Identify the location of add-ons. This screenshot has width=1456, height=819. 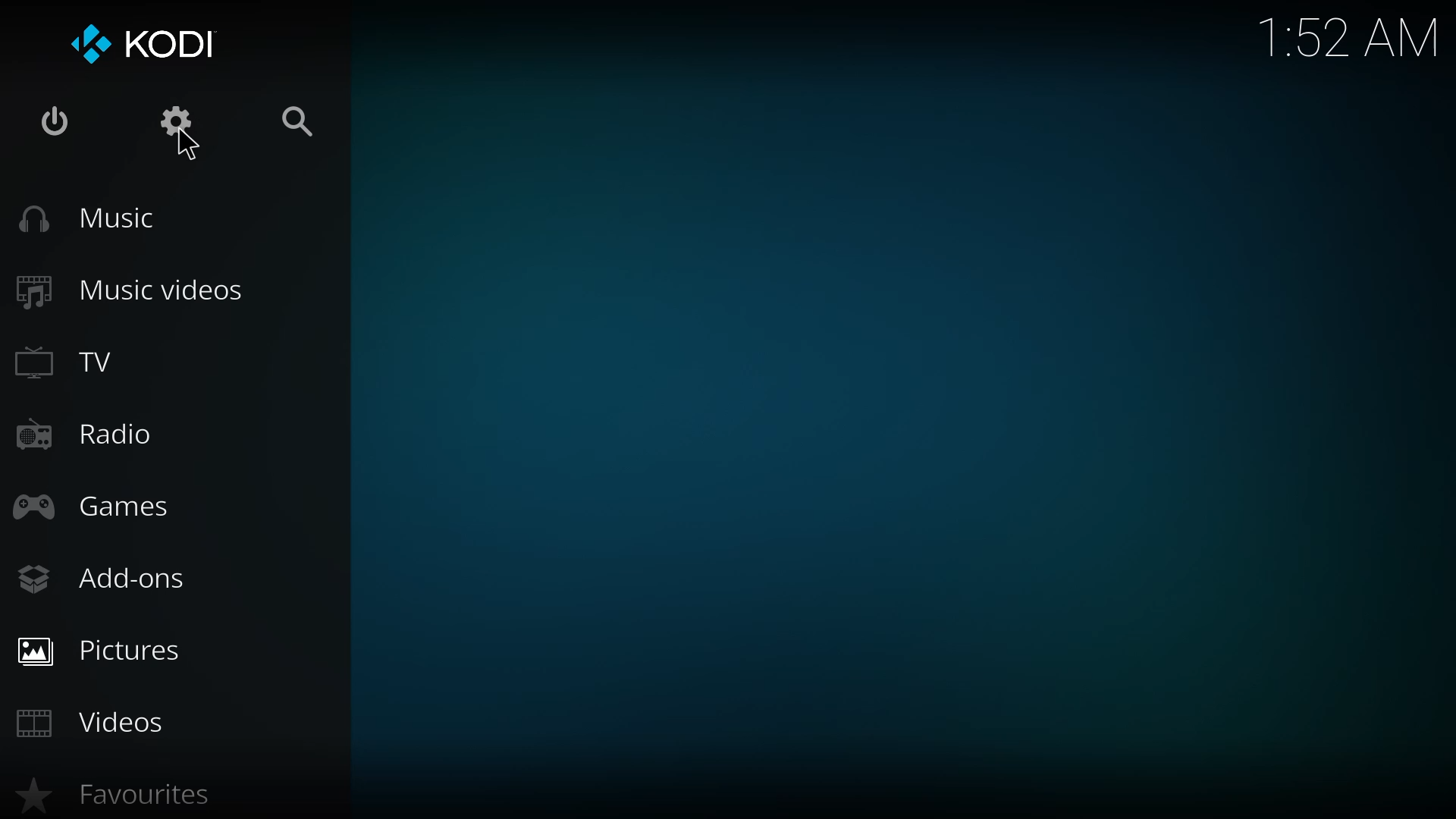
(102, 582).